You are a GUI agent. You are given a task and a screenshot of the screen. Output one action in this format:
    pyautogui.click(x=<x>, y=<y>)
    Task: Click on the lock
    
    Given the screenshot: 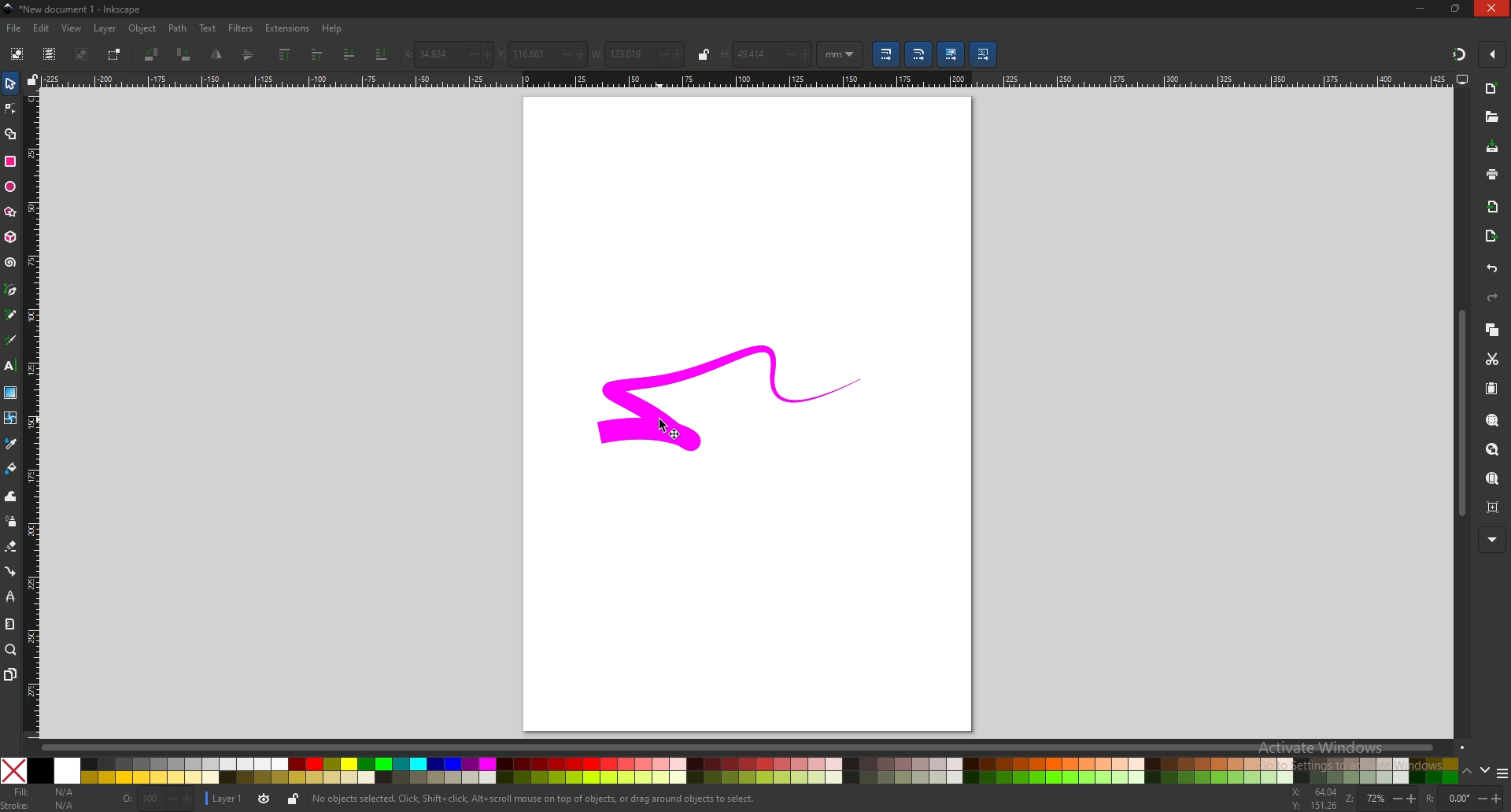 What is the action you would take?
    pyautogui.click(x=705, y=56)
    